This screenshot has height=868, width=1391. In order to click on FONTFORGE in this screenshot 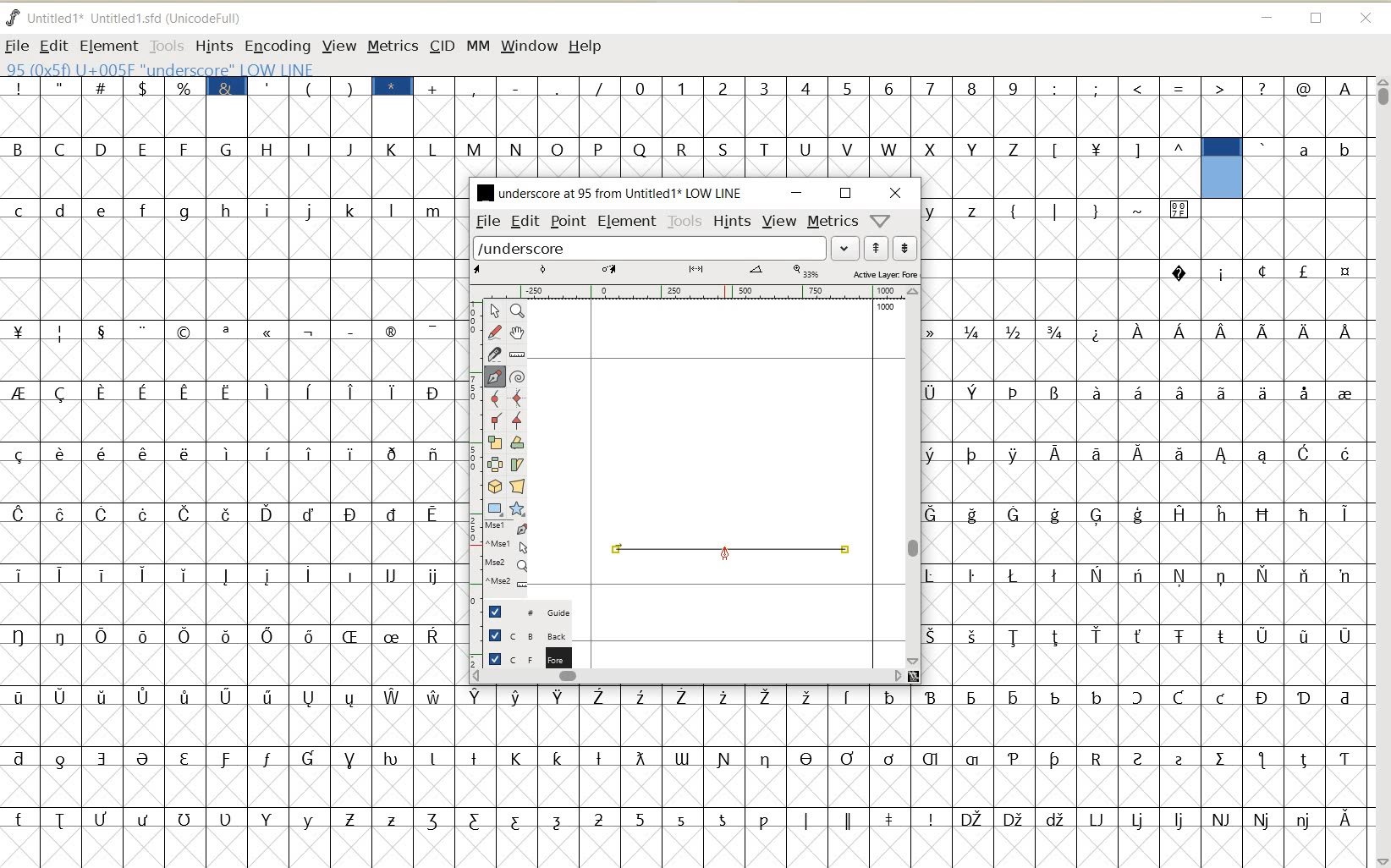, I will do `click(13, 17)`.